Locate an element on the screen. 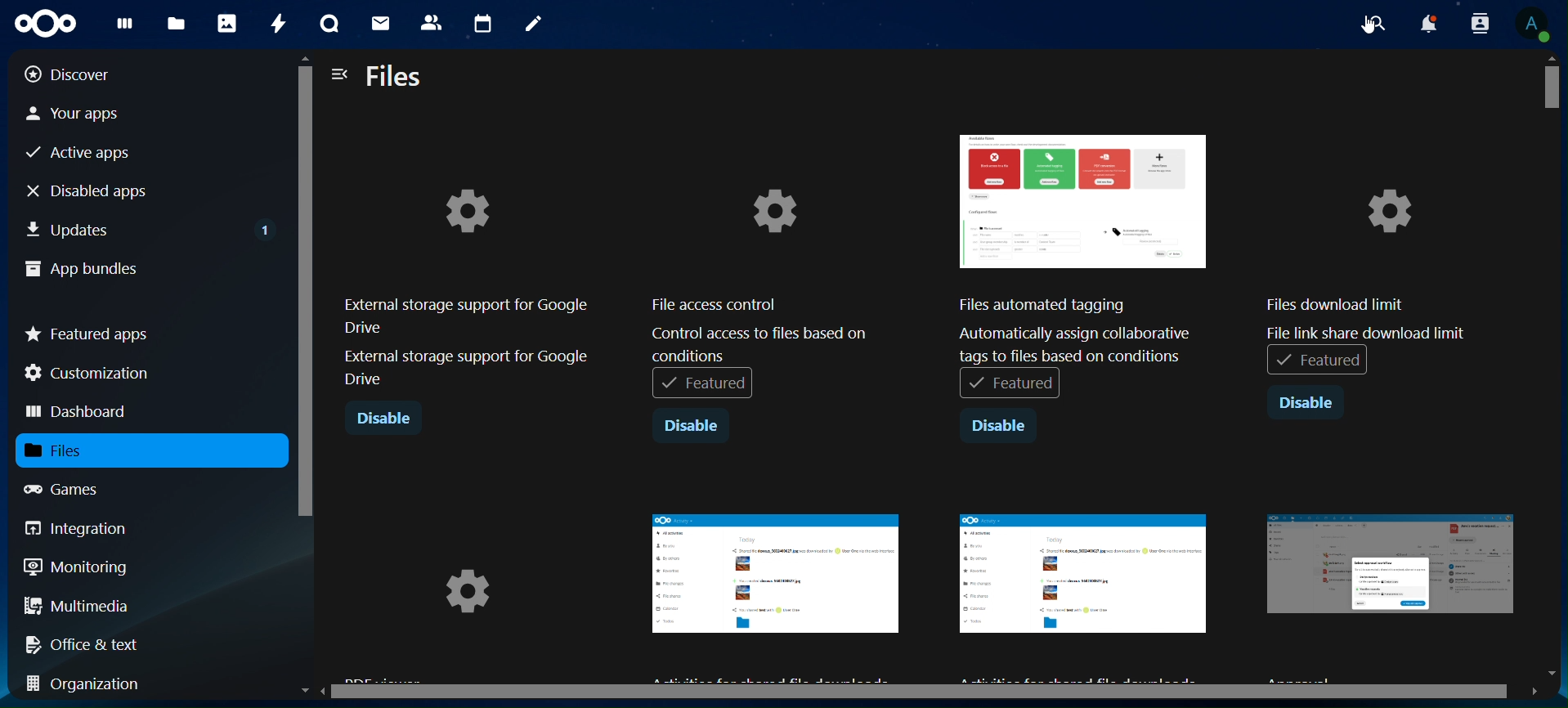 Image resolution: width=1568 pixels, height=708 pixels. image is located at coordinates (775, 589).